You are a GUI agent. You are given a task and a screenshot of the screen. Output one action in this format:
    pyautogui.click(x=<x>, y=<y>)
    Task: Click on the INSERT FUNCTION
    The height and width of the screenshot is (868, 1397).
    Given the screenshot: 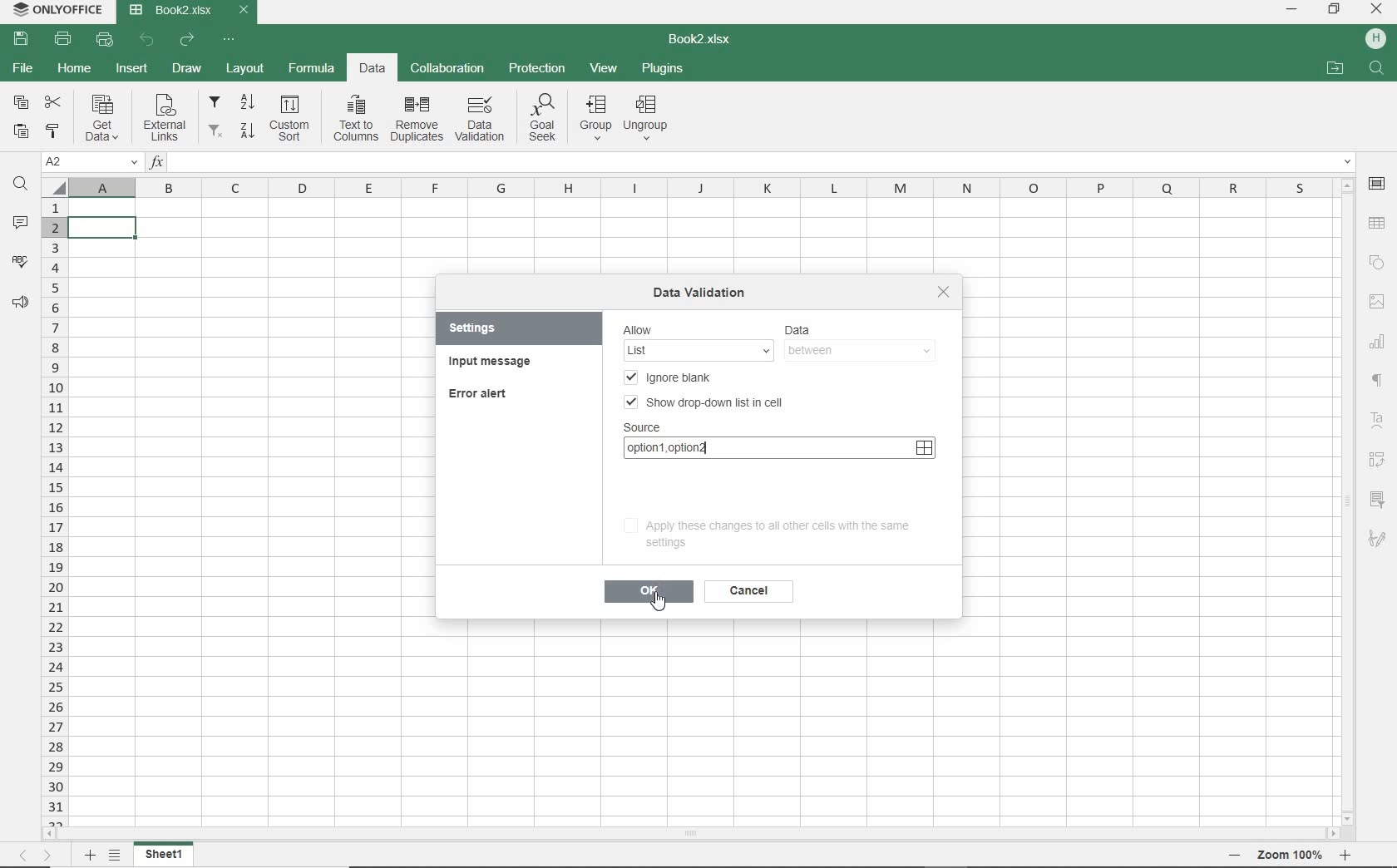 What is the action you would take?
    pyautogui.click(x=751, y=160)
    